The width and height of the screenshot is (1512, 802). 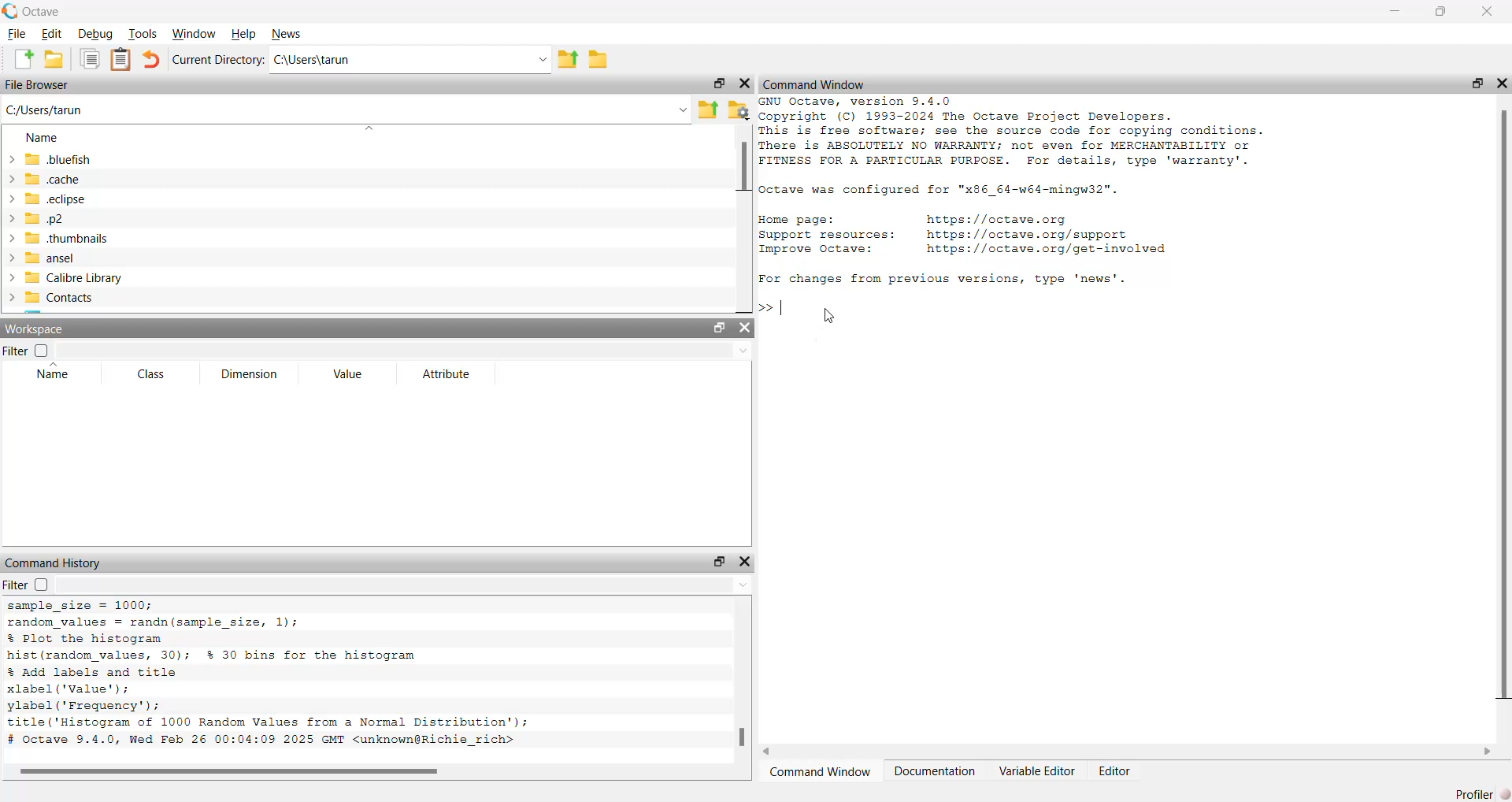 I want to click on Current Directory:, so click(x=220, y=59).